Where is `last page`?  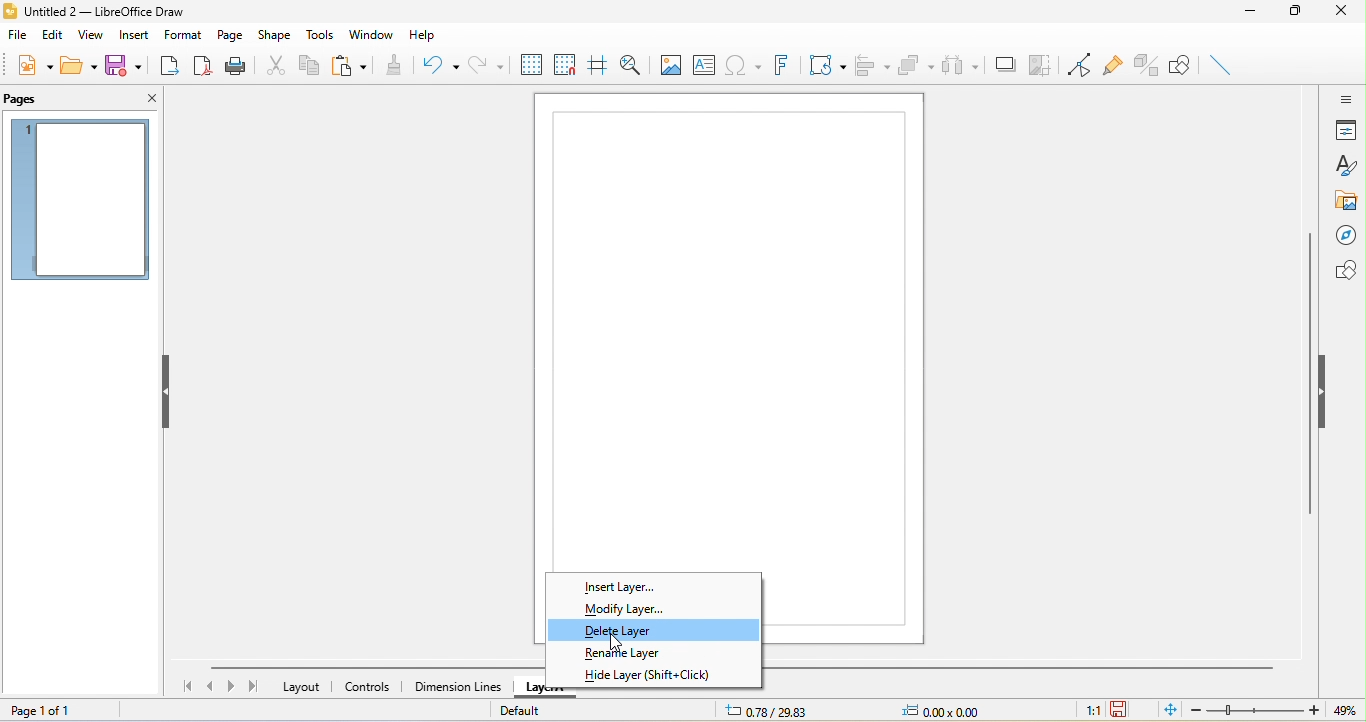 last page is located at coordinates (255, 685).